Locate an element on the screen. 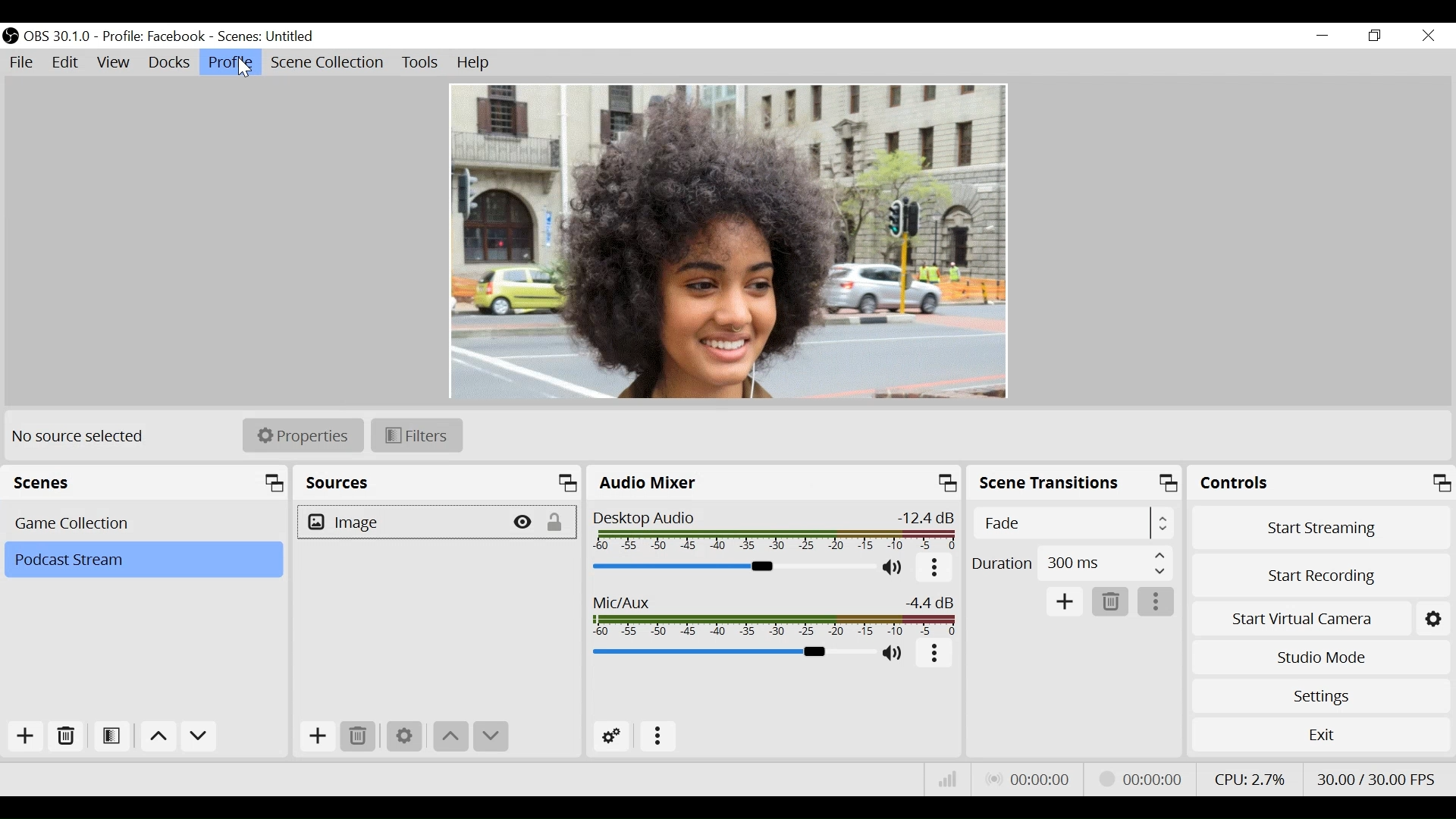  Move down is located at coordinates (491, 737).